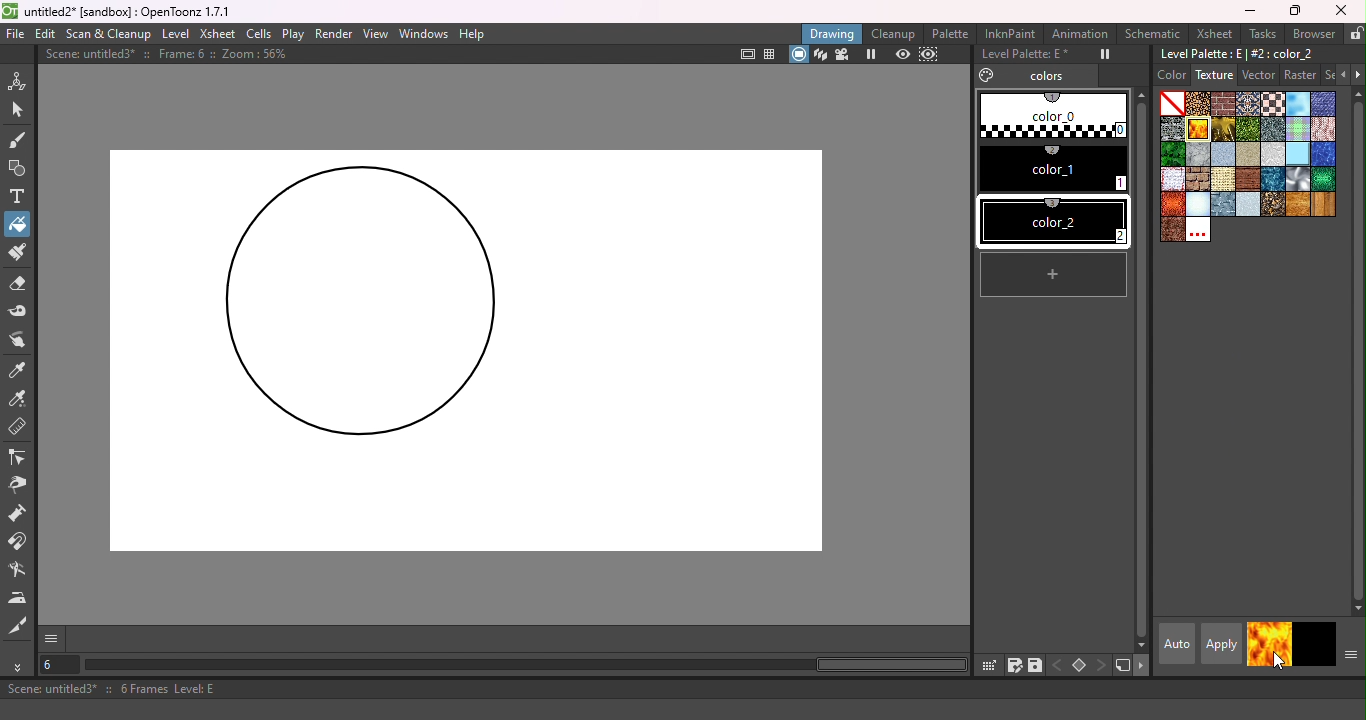 This screenshot has width=1366, height=720. What do you see at coordinates (1165, 76) in the screenshot?
I see `Color` at bounding box center [1165, 76].